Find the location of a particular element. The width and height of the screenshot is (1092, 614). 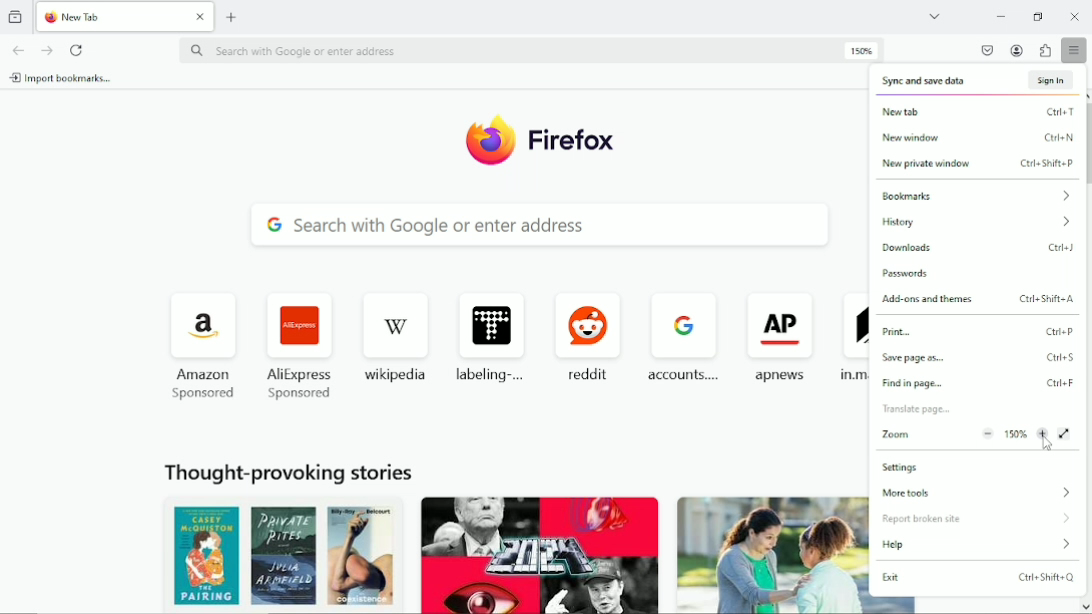

New tab is located at coordinates (232, 17).